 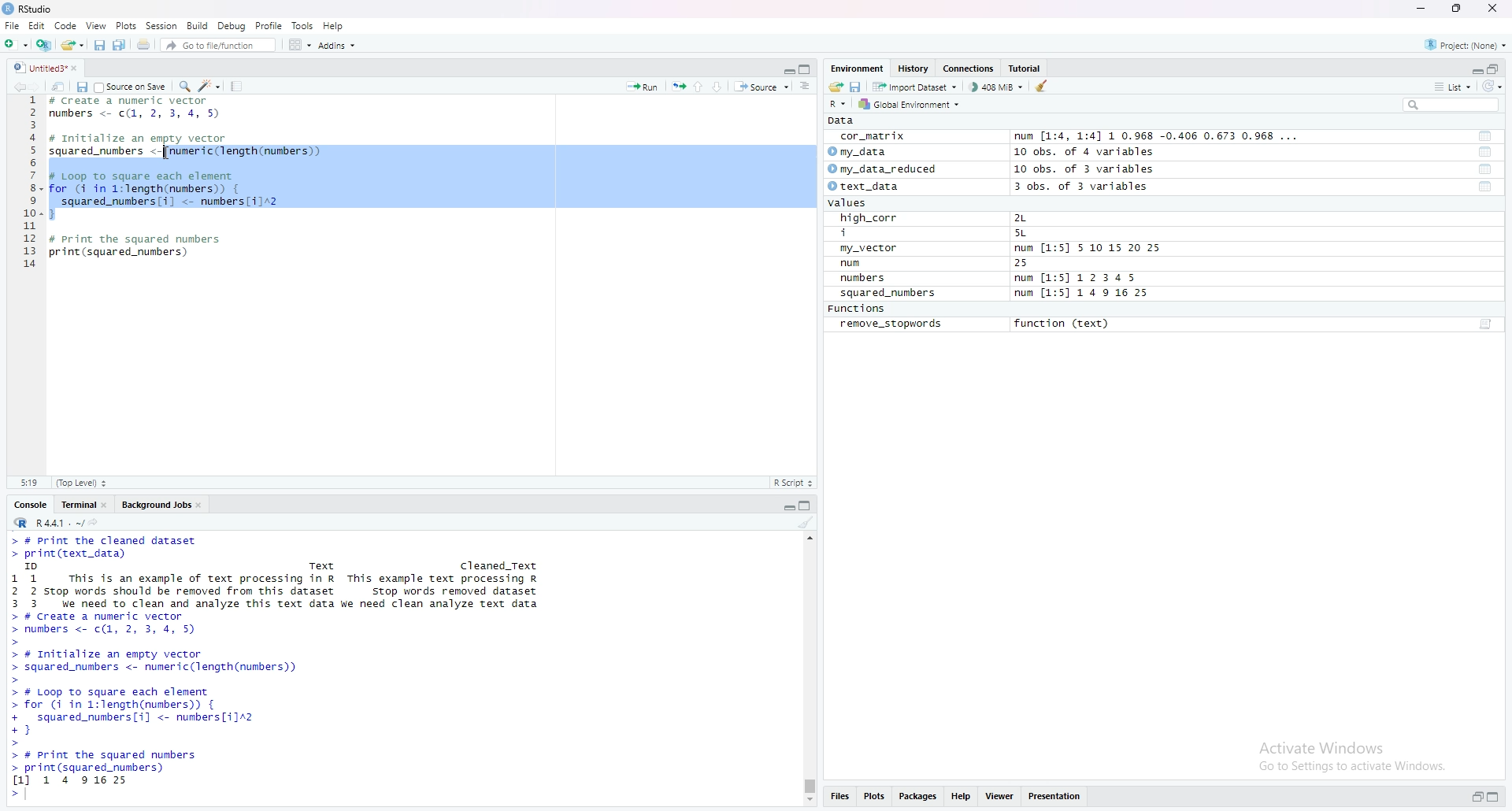 What do you see at coordinates (126, 25) in the screenshot?
I see `Plots` at bounding box center [126, 25].